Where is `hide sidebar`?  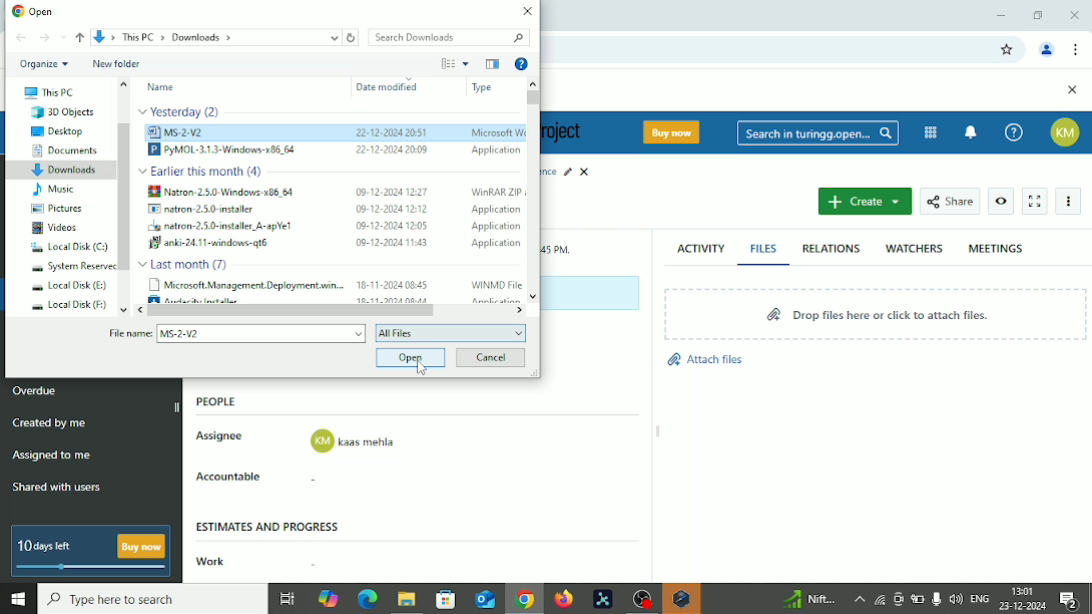
hide sidebar is located at coordinates (178, 406).